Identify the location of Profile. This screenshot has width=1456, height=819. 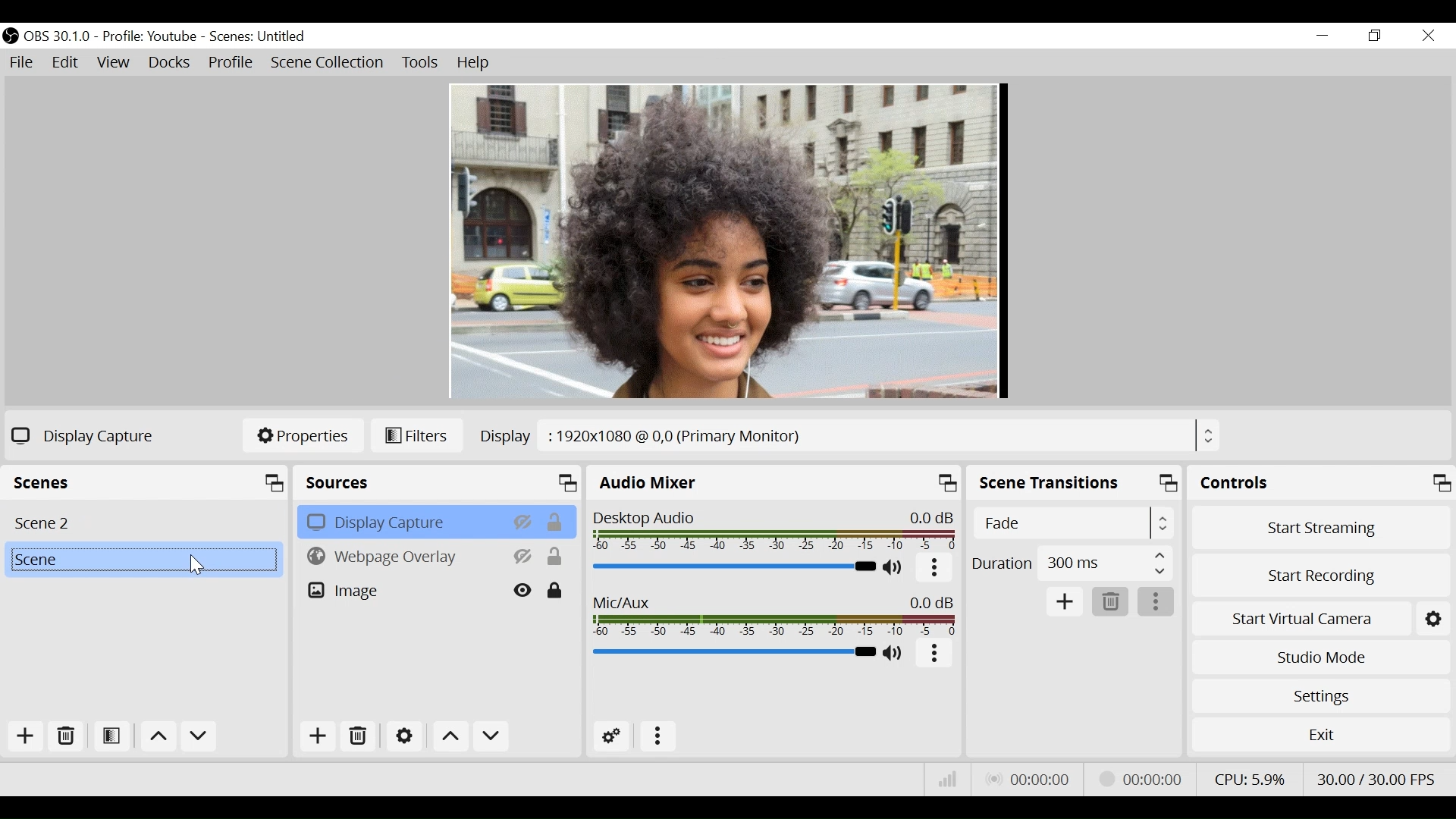
(152, 37).